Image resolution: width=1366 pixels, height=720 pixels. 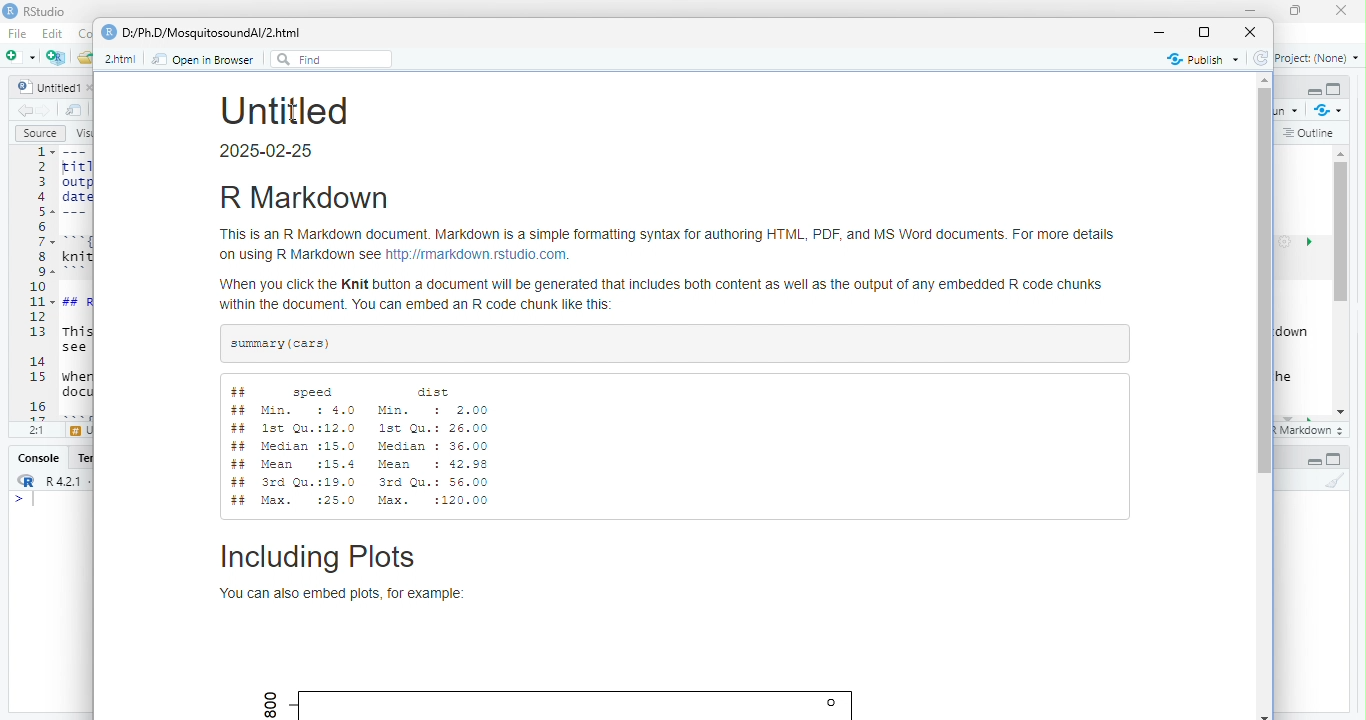 What do you see at coordinates (1204, 59) in the screenshot?
I see `Publish` at bounding box center [1204, 59].